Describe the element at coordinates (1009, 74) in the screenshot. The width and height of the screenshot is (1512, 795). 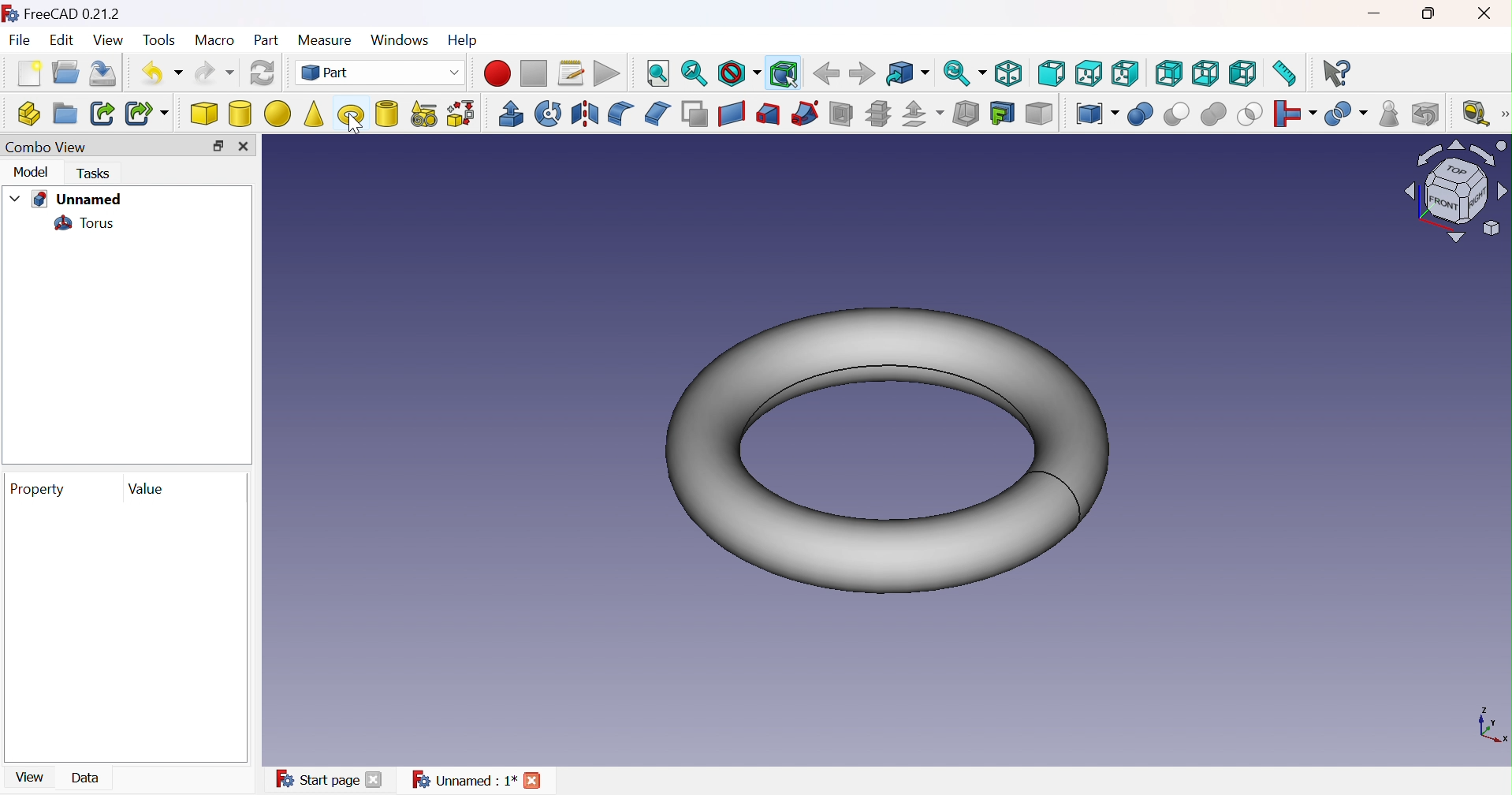
I see `Isometric` at that location.